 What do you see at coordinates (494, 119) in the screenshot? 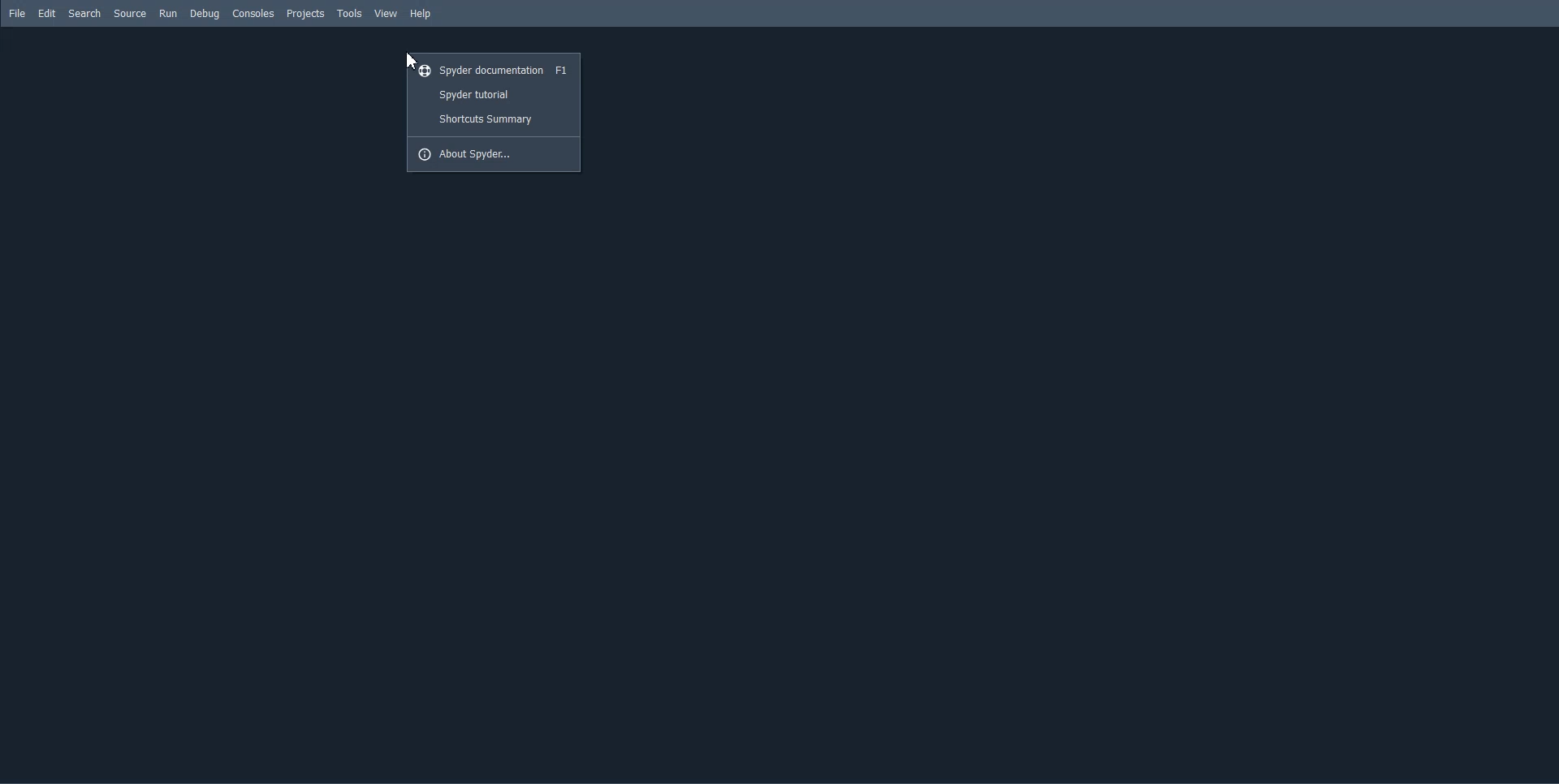
I see `Shortcuts Summary` at bounding box center [494, 119].